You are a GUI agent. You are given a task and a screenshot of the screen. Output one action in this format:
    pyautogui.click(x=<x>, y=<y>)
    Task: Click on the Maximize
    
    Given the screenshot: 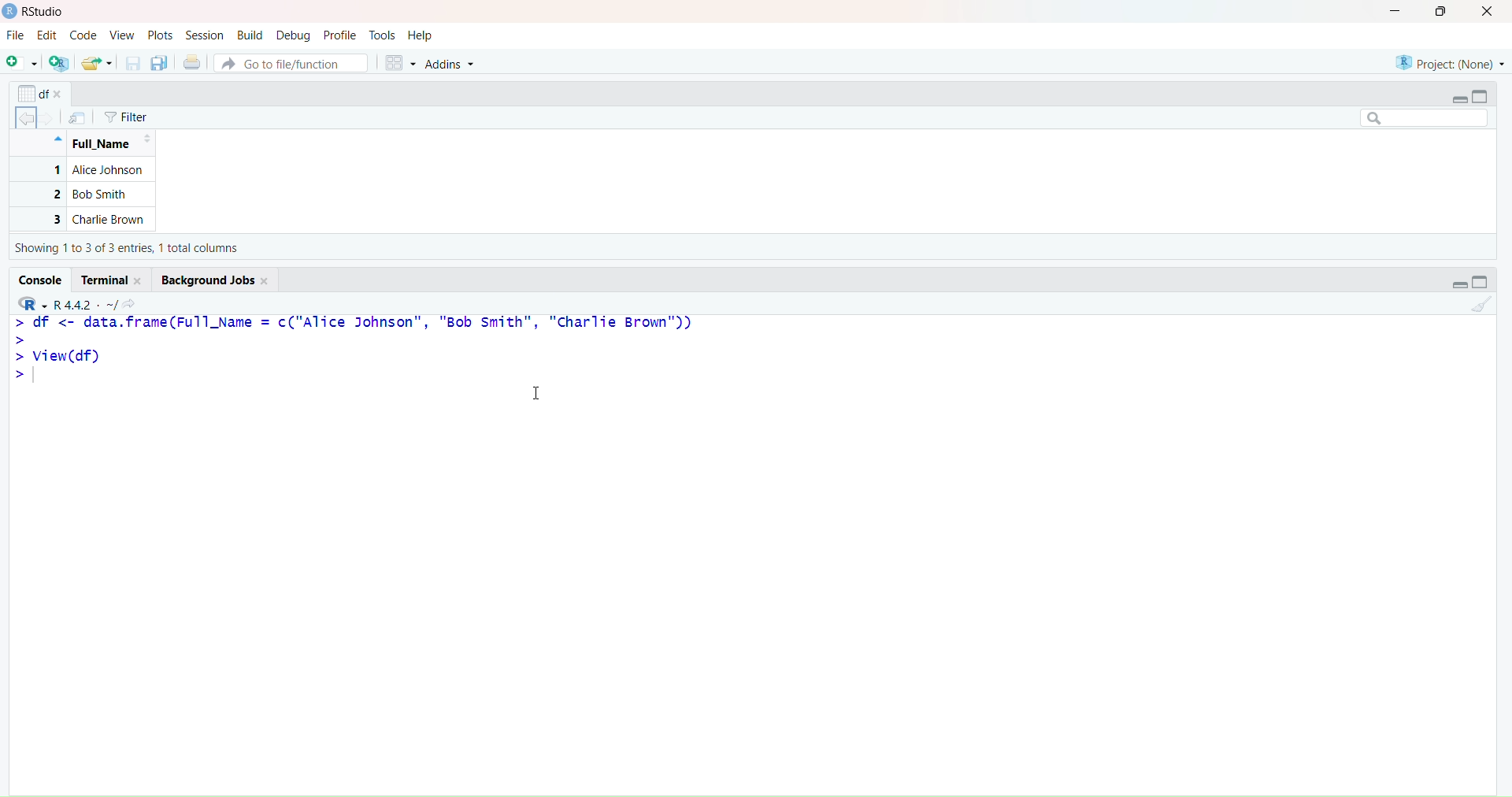 What is the action you would take?
    pyautogui.click(x=1441, y=14)
    